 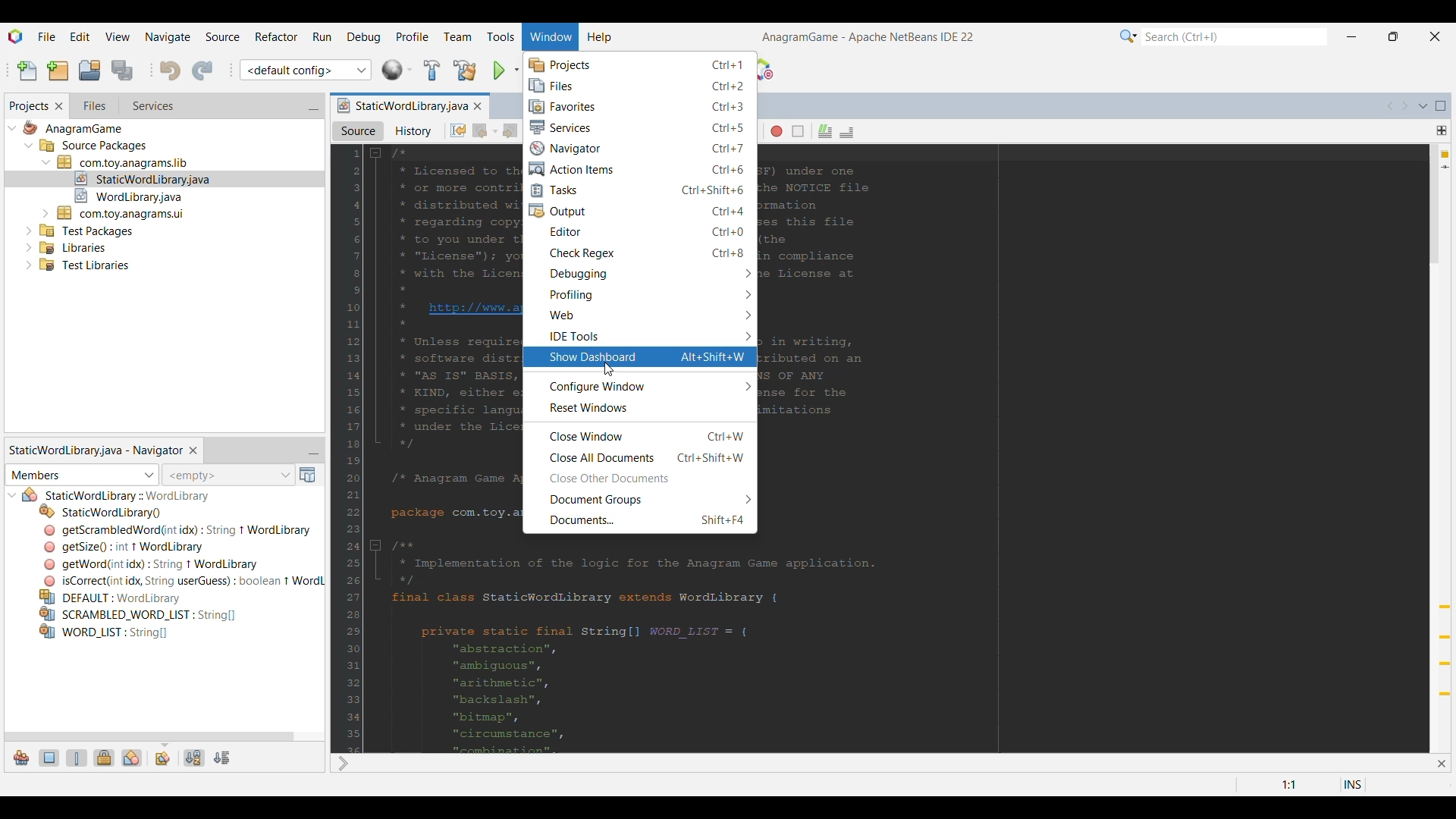 I want to click on Start macro recording, so click(x=777, y=131).